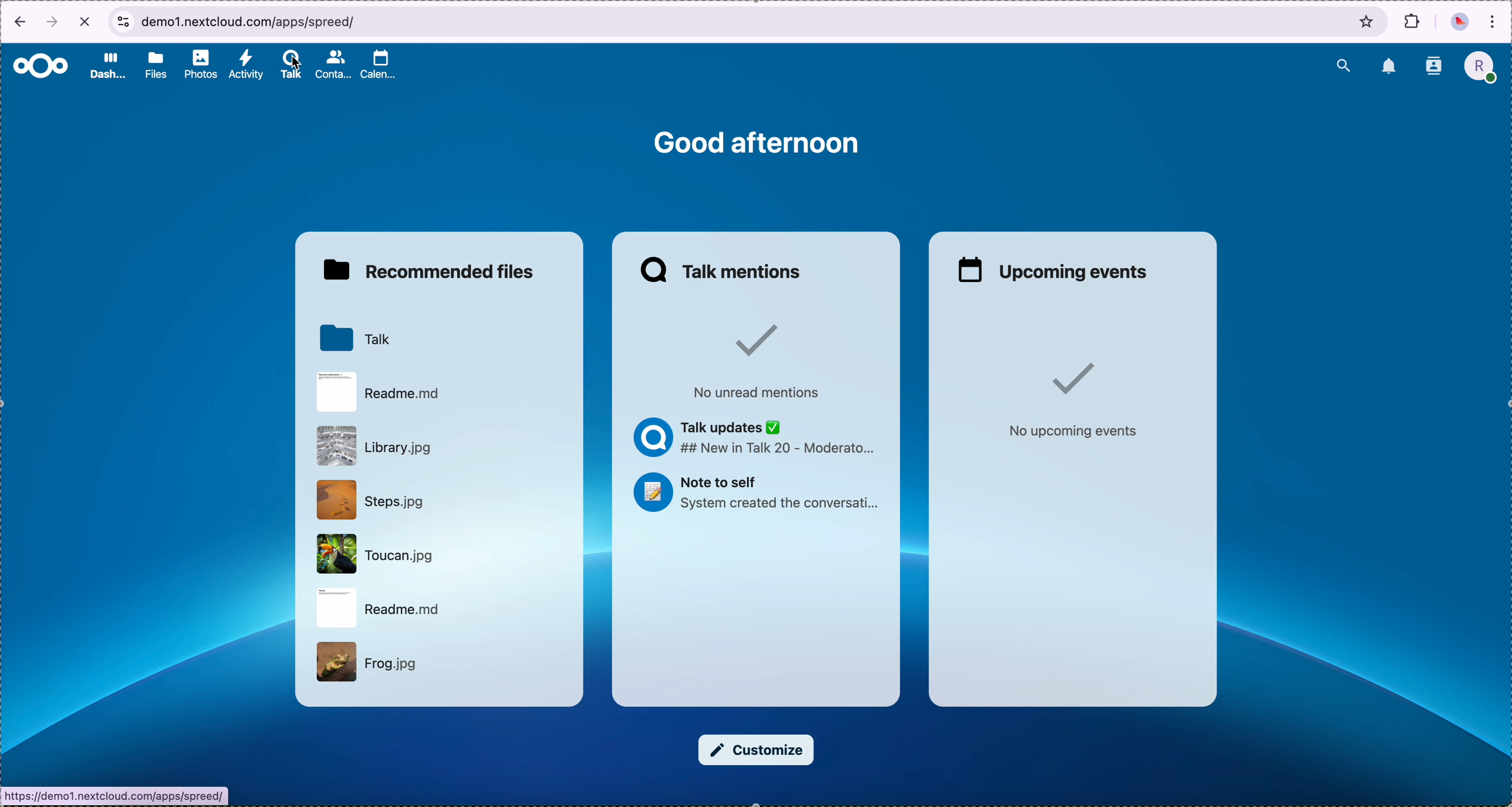 The image size is (1512, 807). Describe the element at coordinates (762, 258) in the screenshot. I see `talk mentions` at that location.